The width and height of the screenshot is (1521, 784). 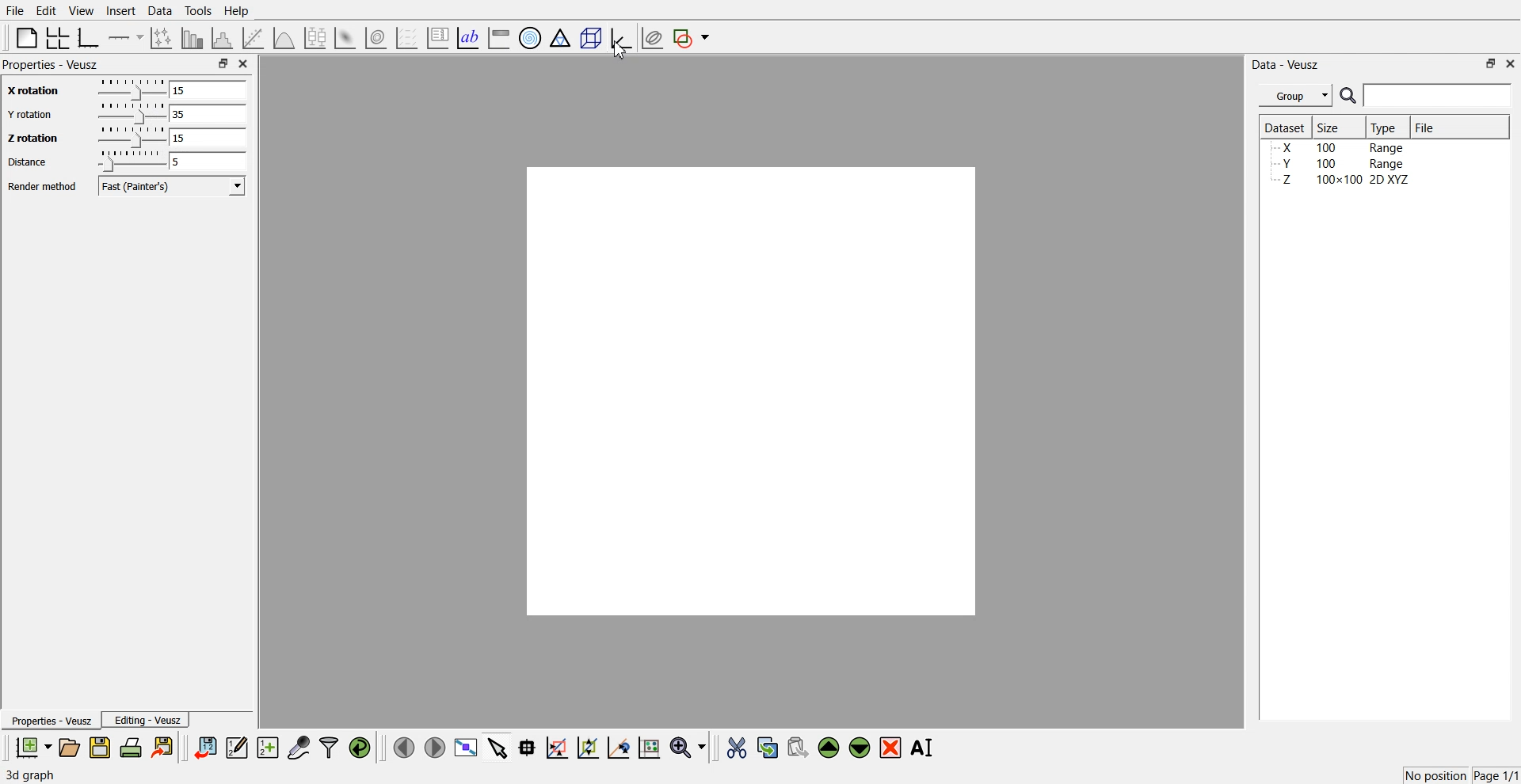 I want to click on Paste widget from the clipboard, so click(x=798, y=746).